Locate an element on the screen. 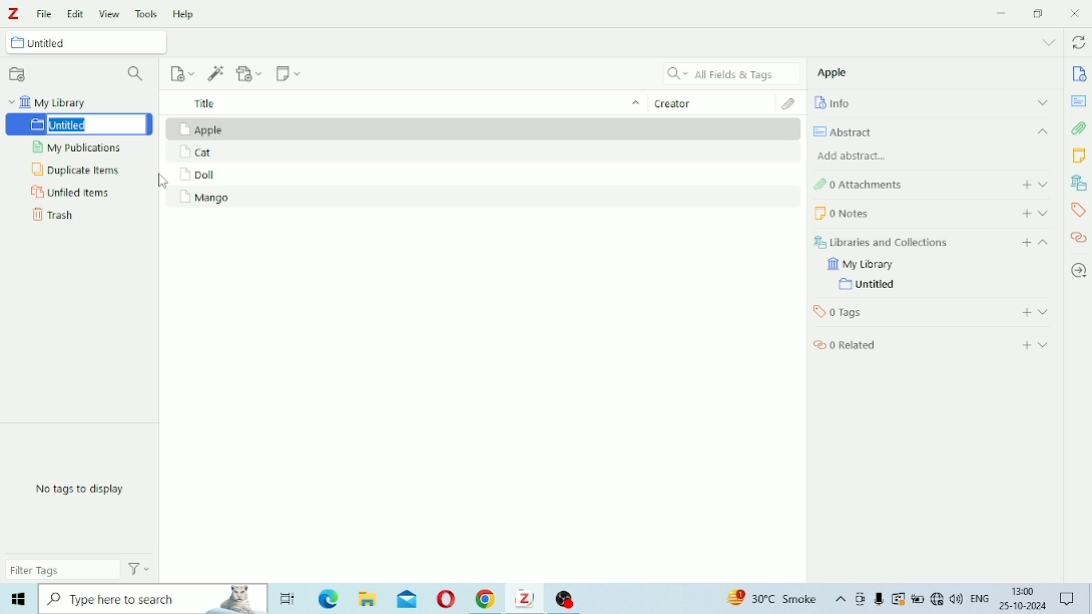 The image size is (1092, 614). Restore Down is located at coordinates (1038, 13).